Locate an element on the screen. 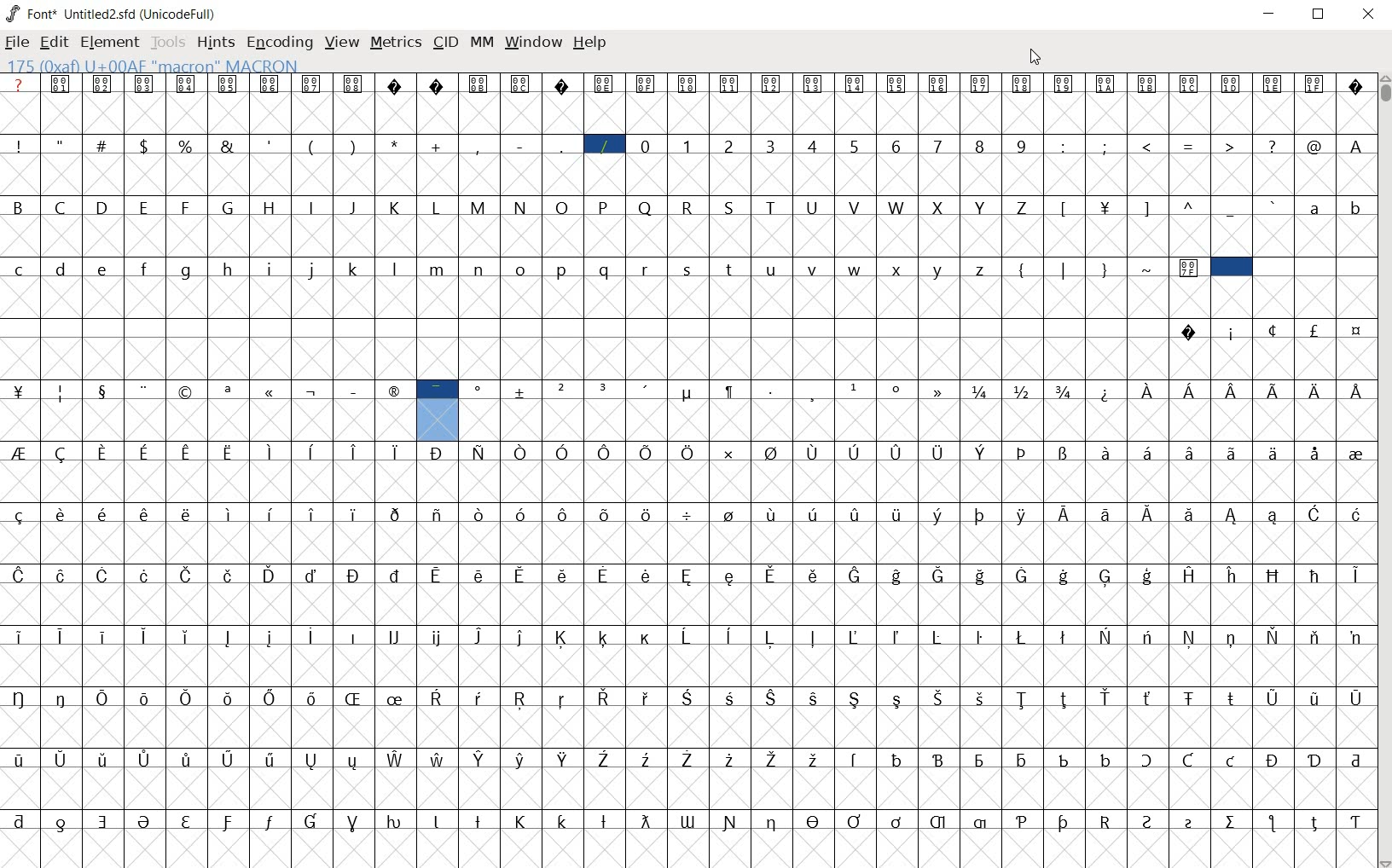 The width and height of the screenshot is (1392, 868). MINIMIZE is located at coordinates (1269, 13).